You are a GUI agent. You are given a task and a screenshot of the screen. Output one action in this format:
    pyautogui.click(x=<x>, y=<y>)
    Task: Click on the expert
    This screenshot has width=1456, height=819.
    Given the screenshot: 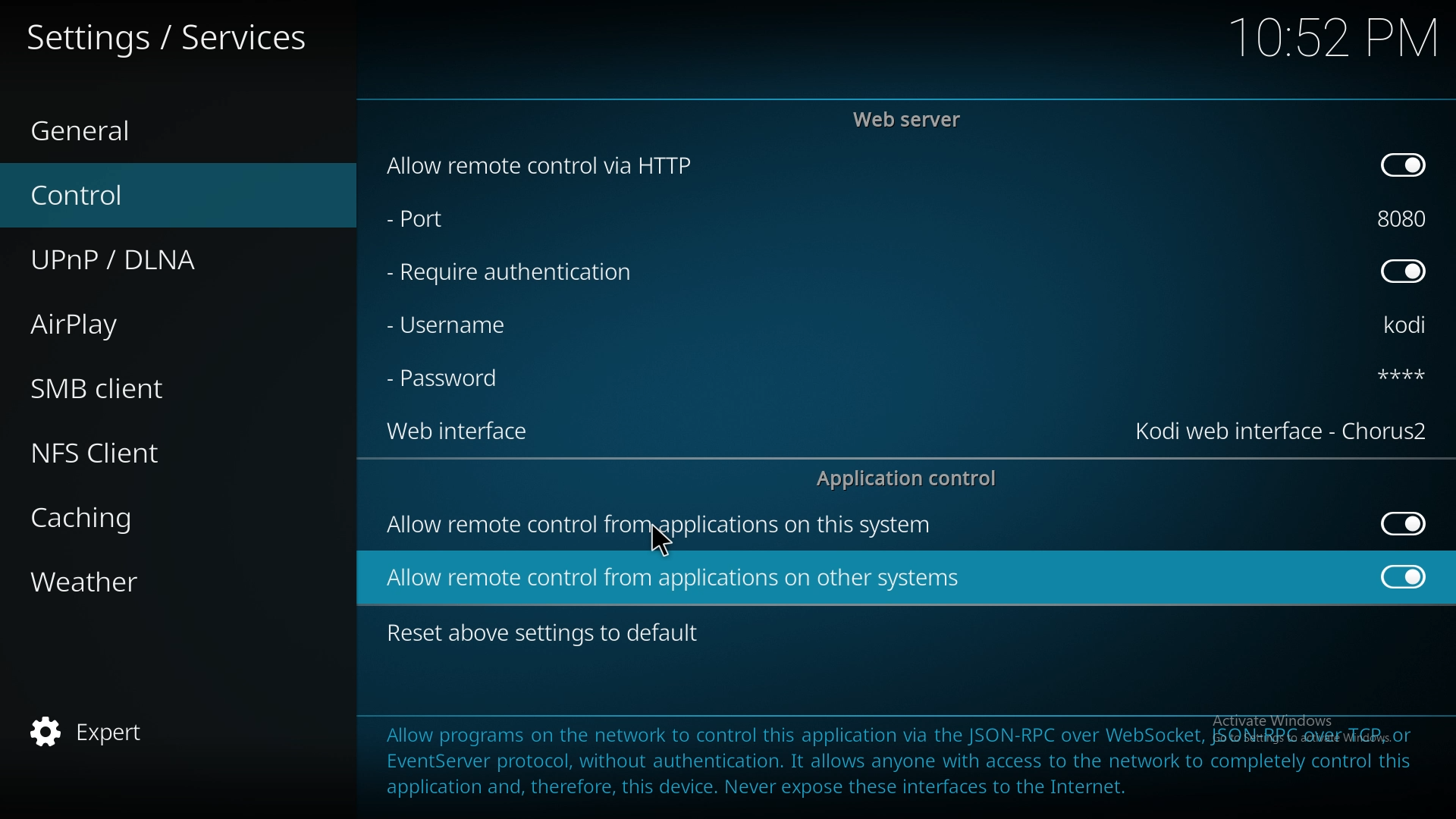 What is the action you would take?
    pyautogui.click(x=155, y=729)
    